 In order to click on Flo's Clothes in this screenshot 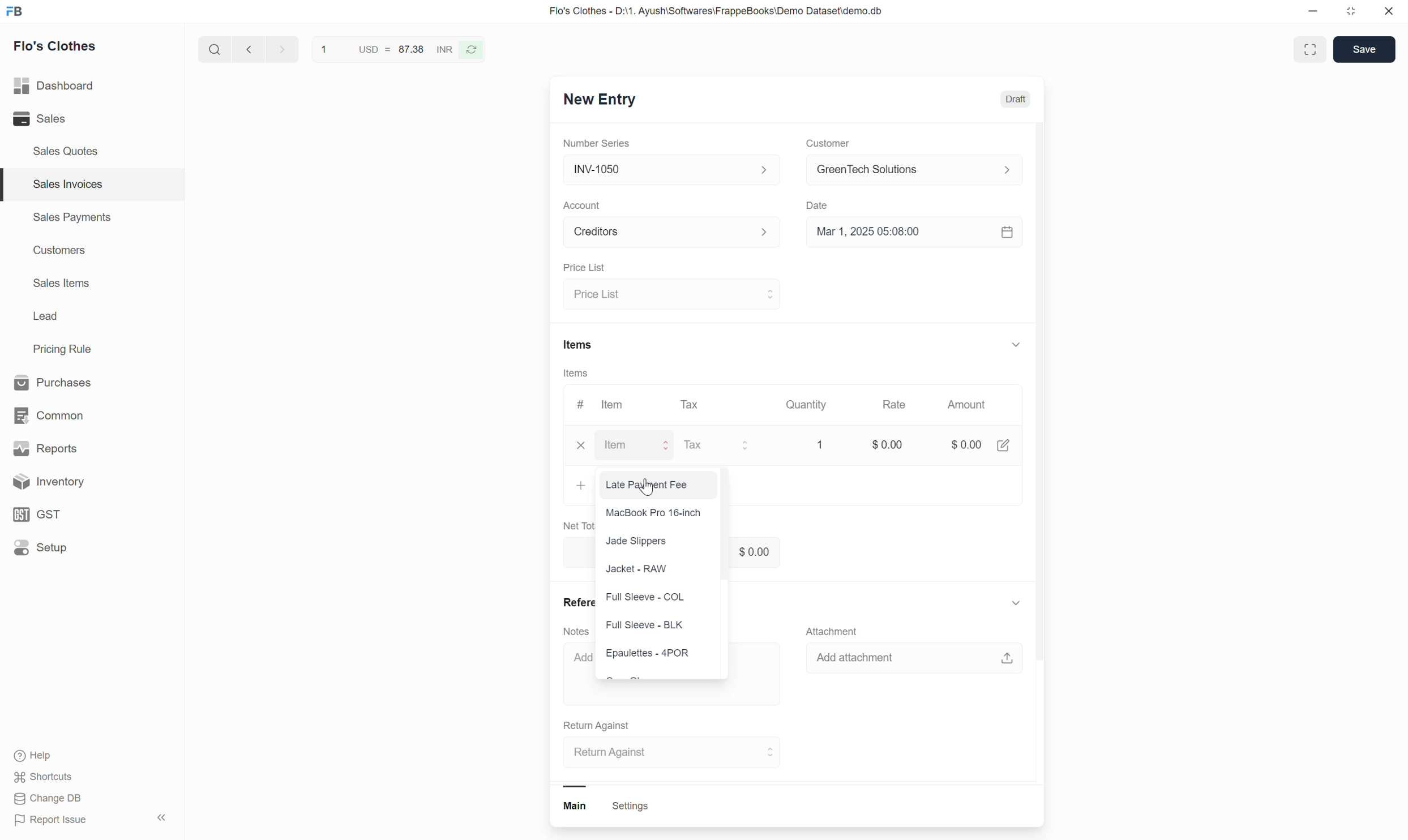, I will do `click(61, 48)`.